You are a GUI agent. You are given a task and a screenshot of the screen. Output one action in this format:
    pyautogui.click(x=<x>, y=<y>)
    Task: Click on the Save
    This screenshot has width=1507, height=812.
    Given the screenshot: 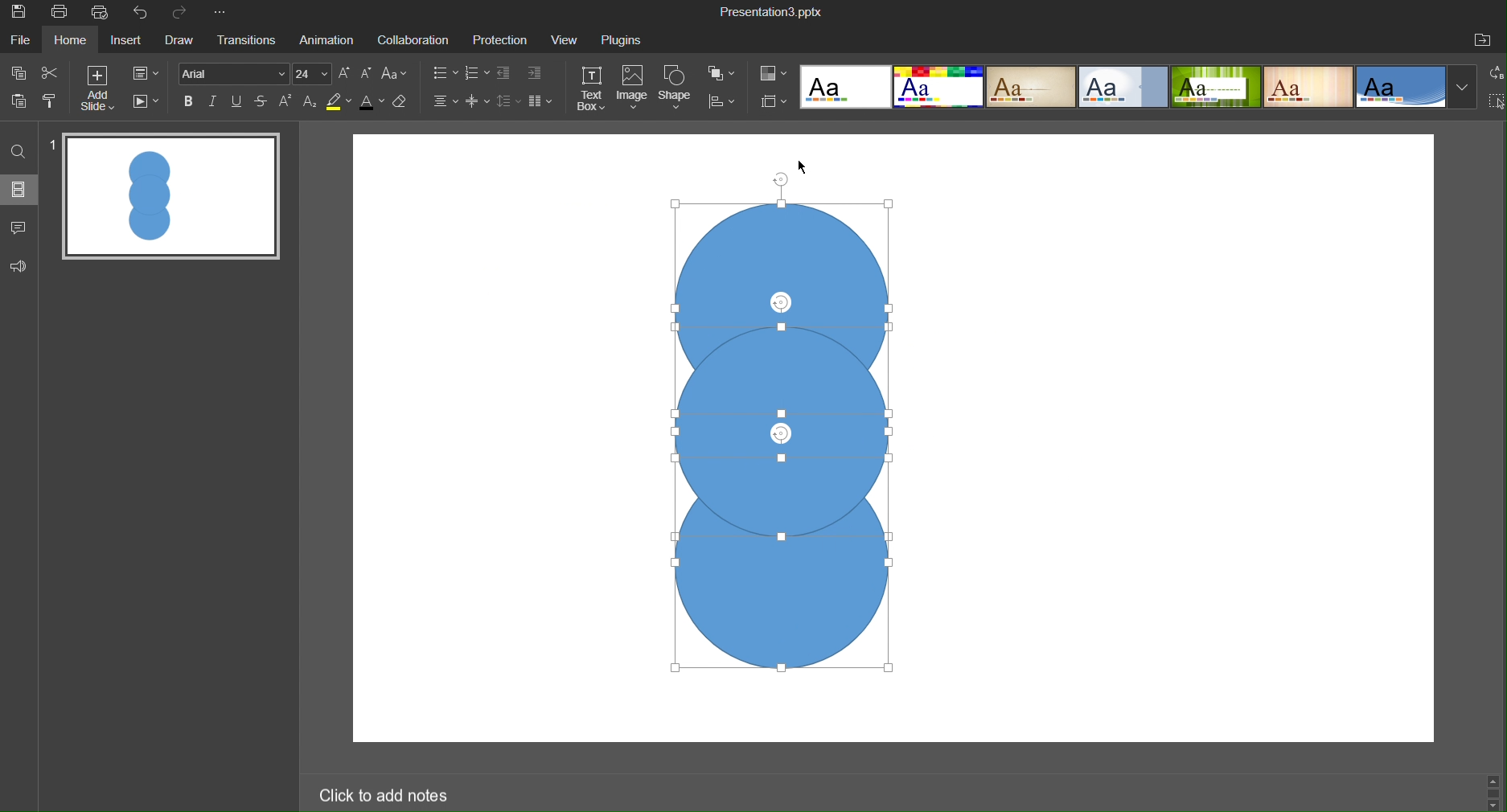 What is the action you would take?
    pyautogui.click(x=23, y=15)
    